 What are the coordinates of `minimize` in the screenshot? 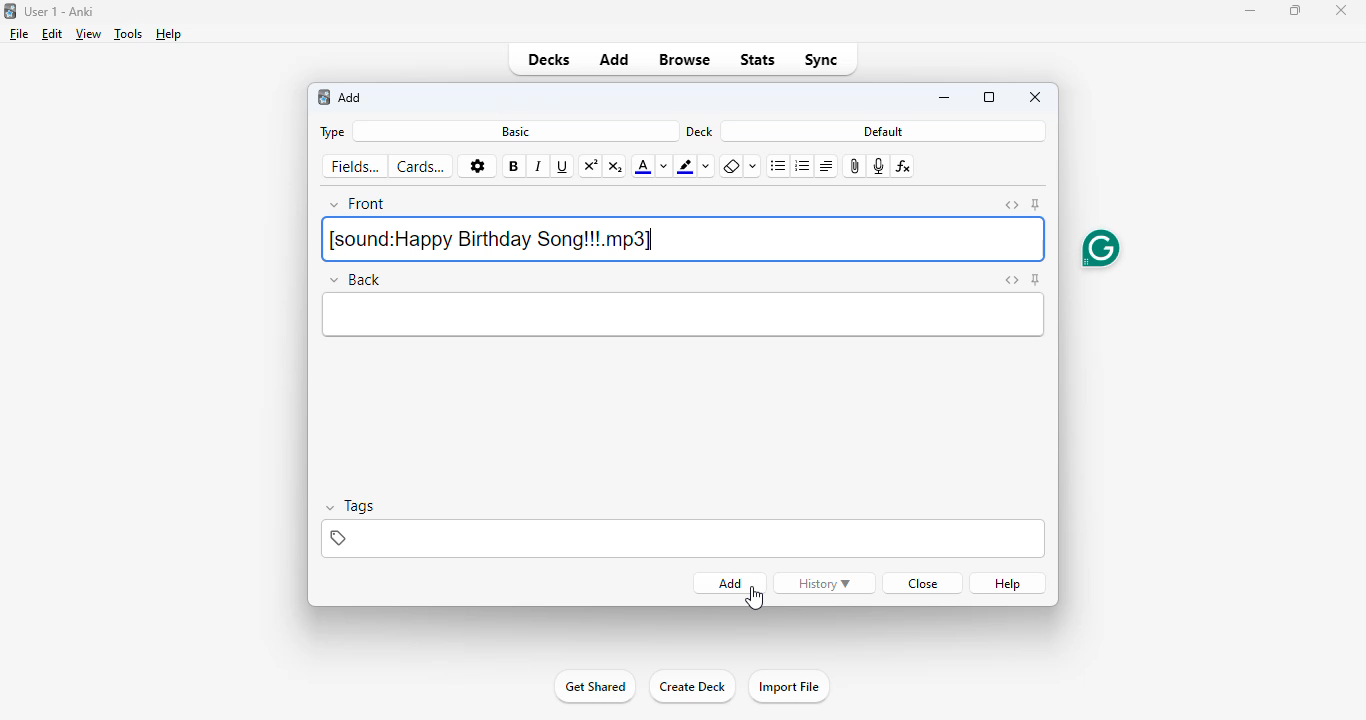 It's located at (1250, 11).